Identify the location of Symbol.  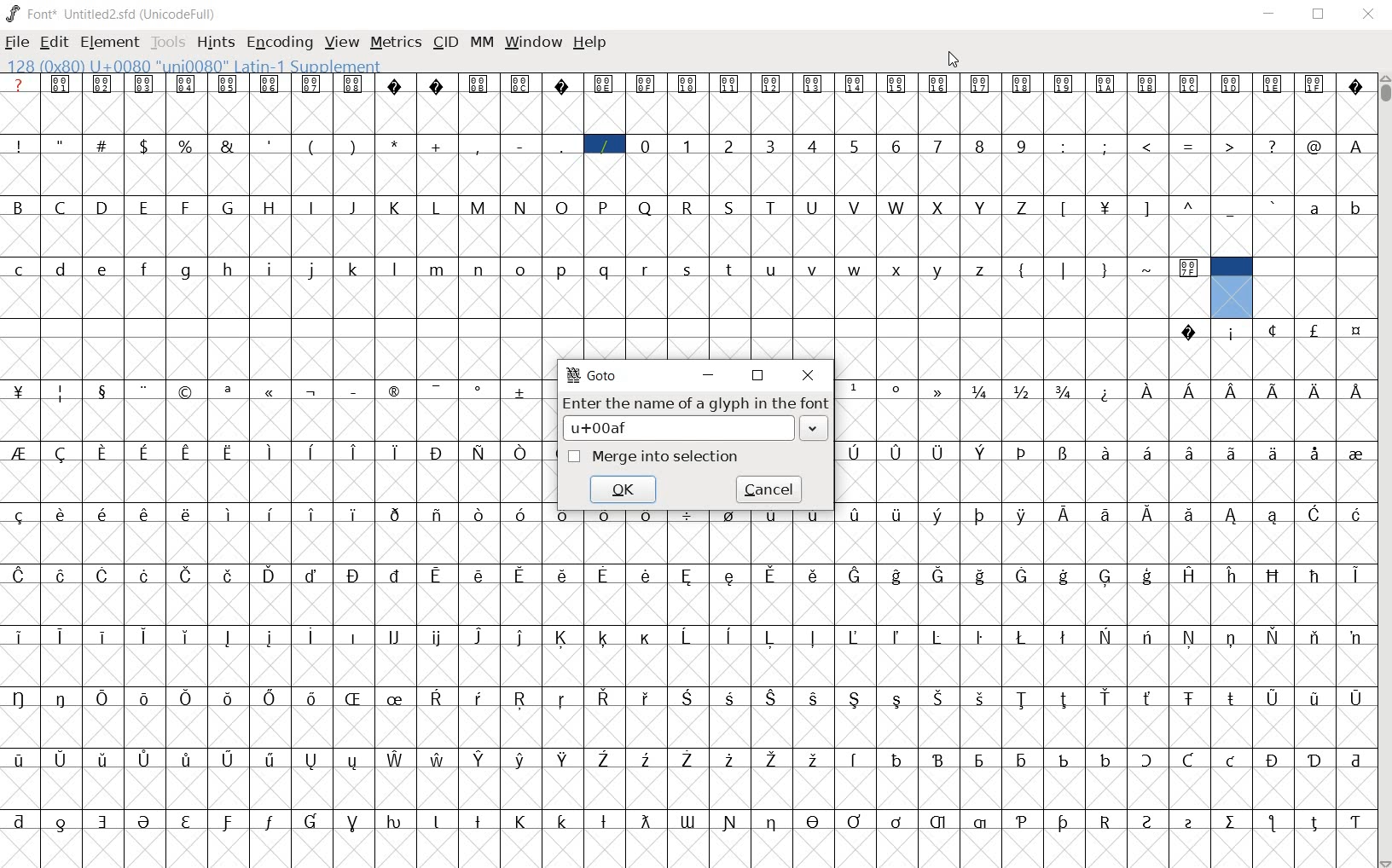
(606, 698).